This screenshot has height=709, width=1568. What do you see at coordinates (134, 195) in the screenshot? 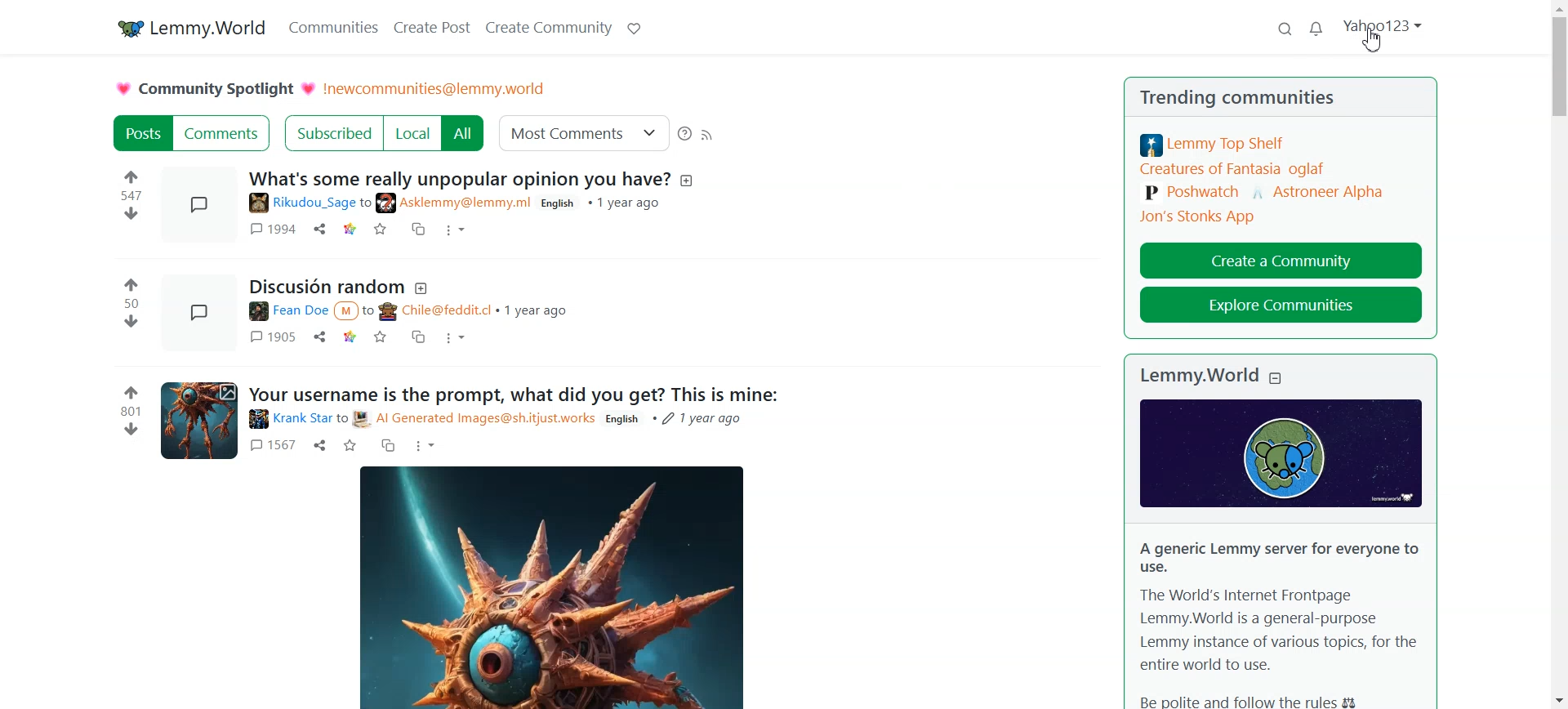
I see `547` at bounding box center [134, 195].